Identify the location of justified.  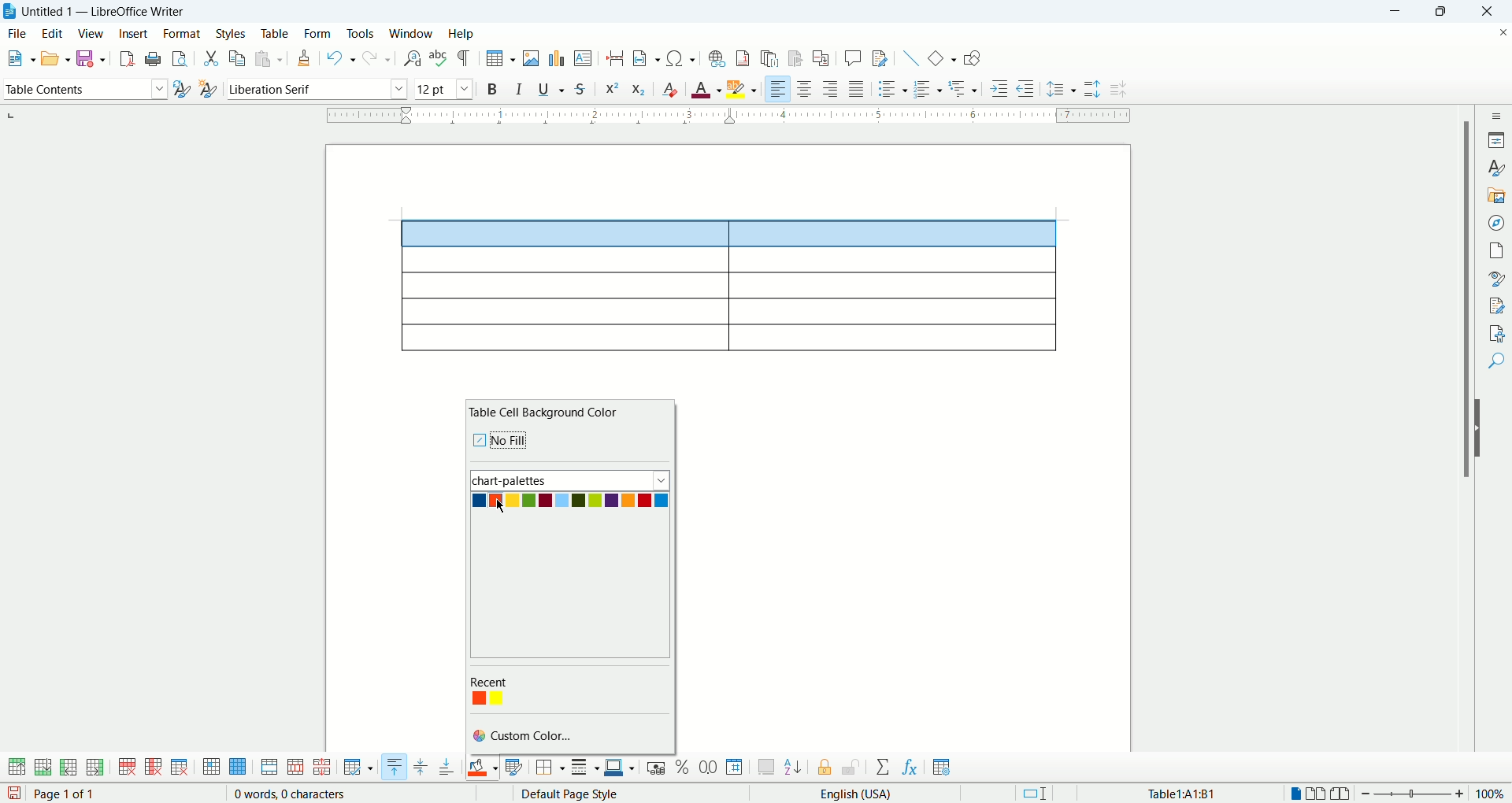
(857, 88).